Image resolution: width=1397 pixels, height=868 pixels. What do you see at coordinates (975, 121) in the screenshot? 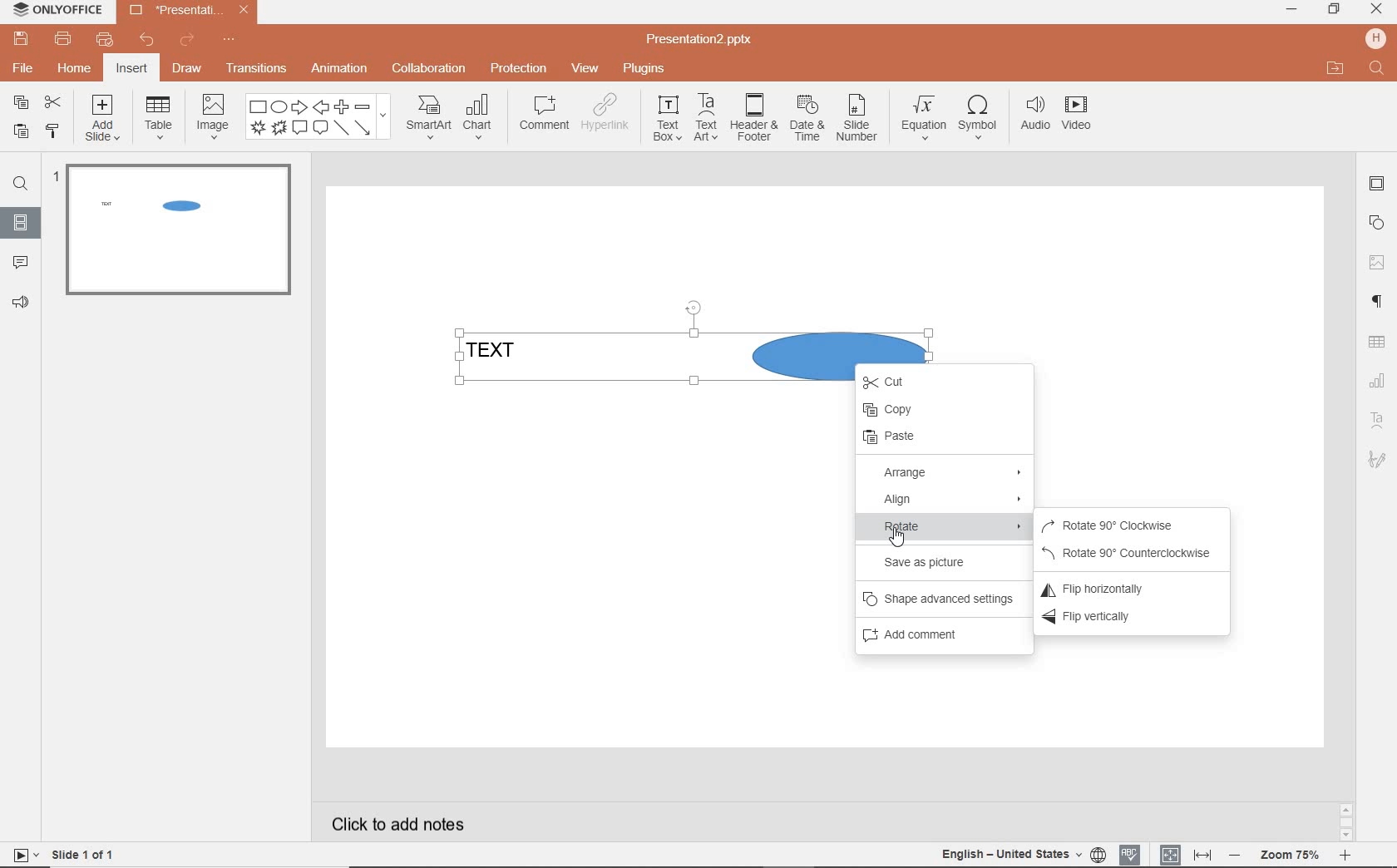
I see `symbol` at bounding box center [975, 121].